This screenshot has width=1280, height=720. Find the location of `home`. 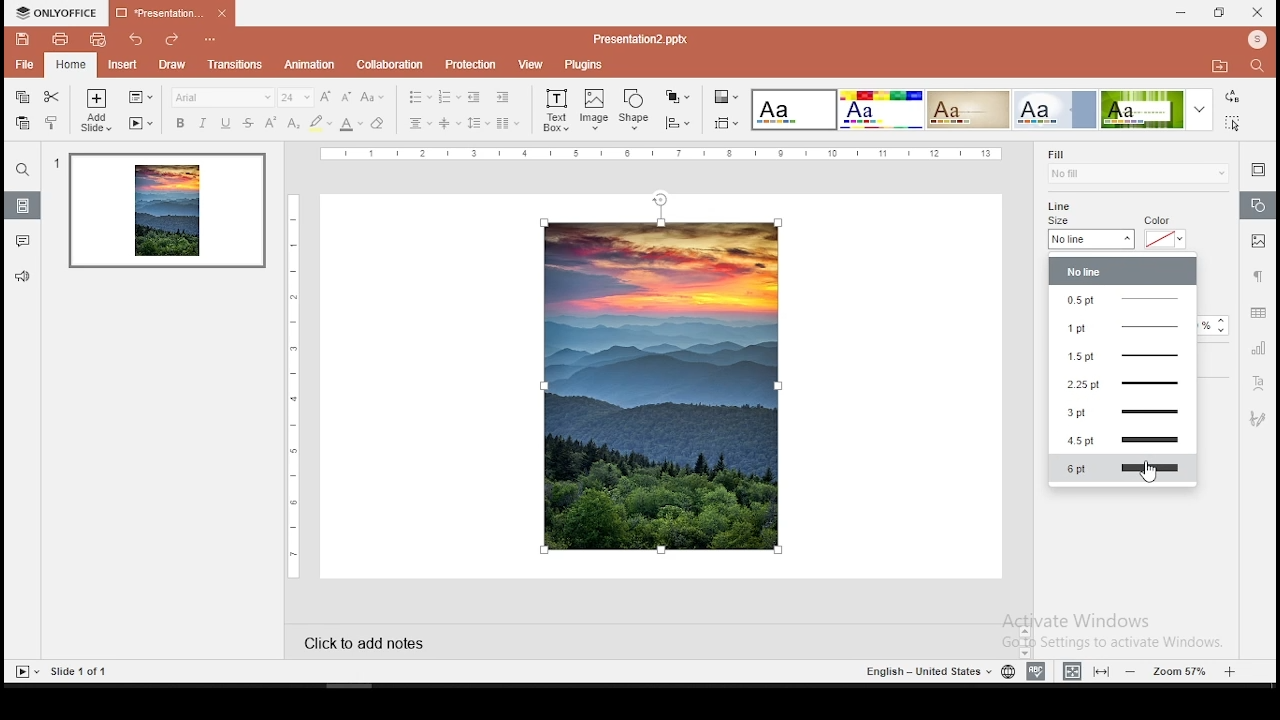

home is located at coordinates (69, 65).